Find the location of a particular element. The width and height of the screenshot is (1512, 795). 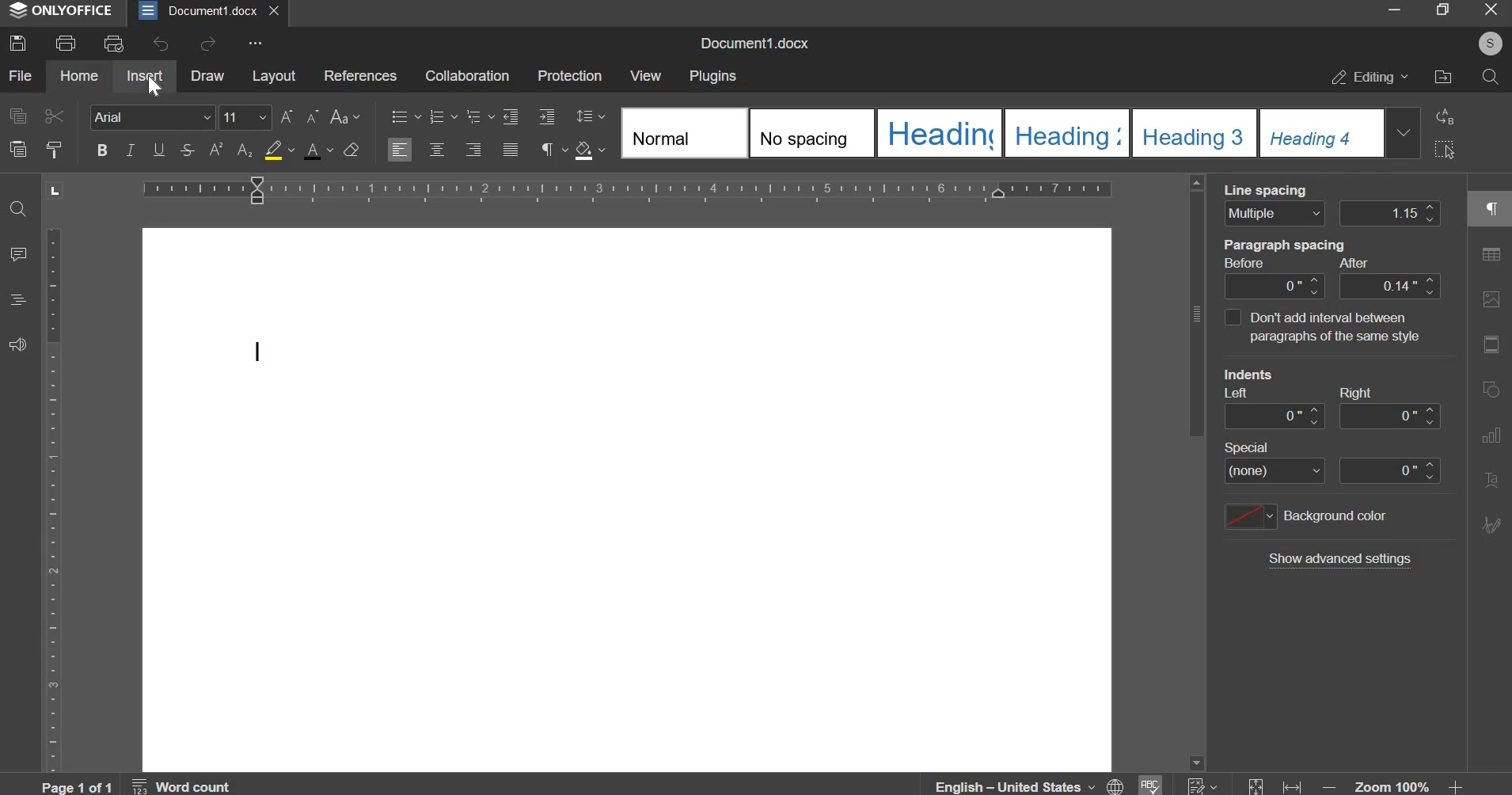

decrease indent is located at coordinates (511, 116).